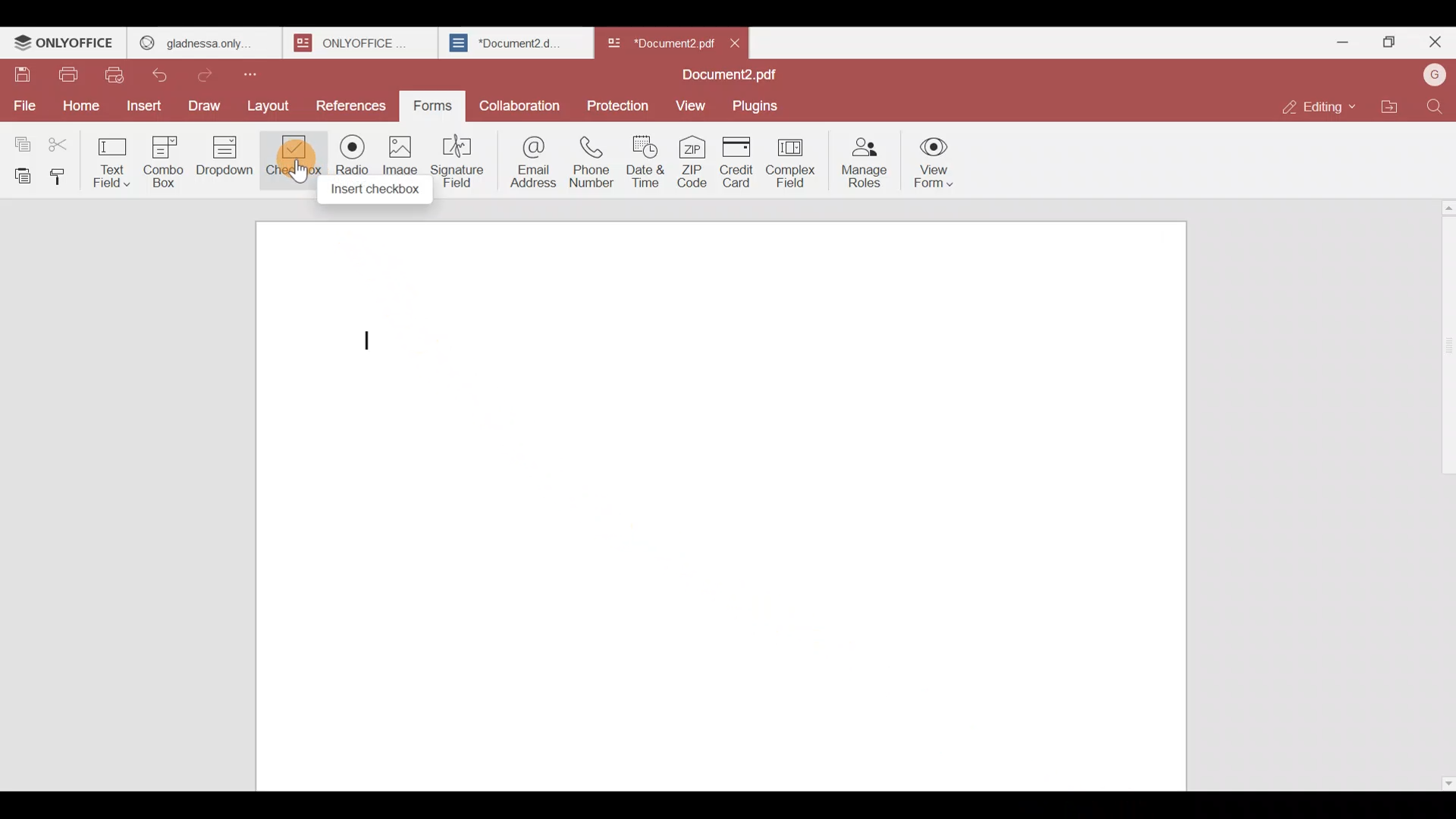 The height and width of the screenshot is (819, 1456). What do you see at coordinates (65, 141) in the screenshot?
I see `Cut` at bounding box center [65, 141].